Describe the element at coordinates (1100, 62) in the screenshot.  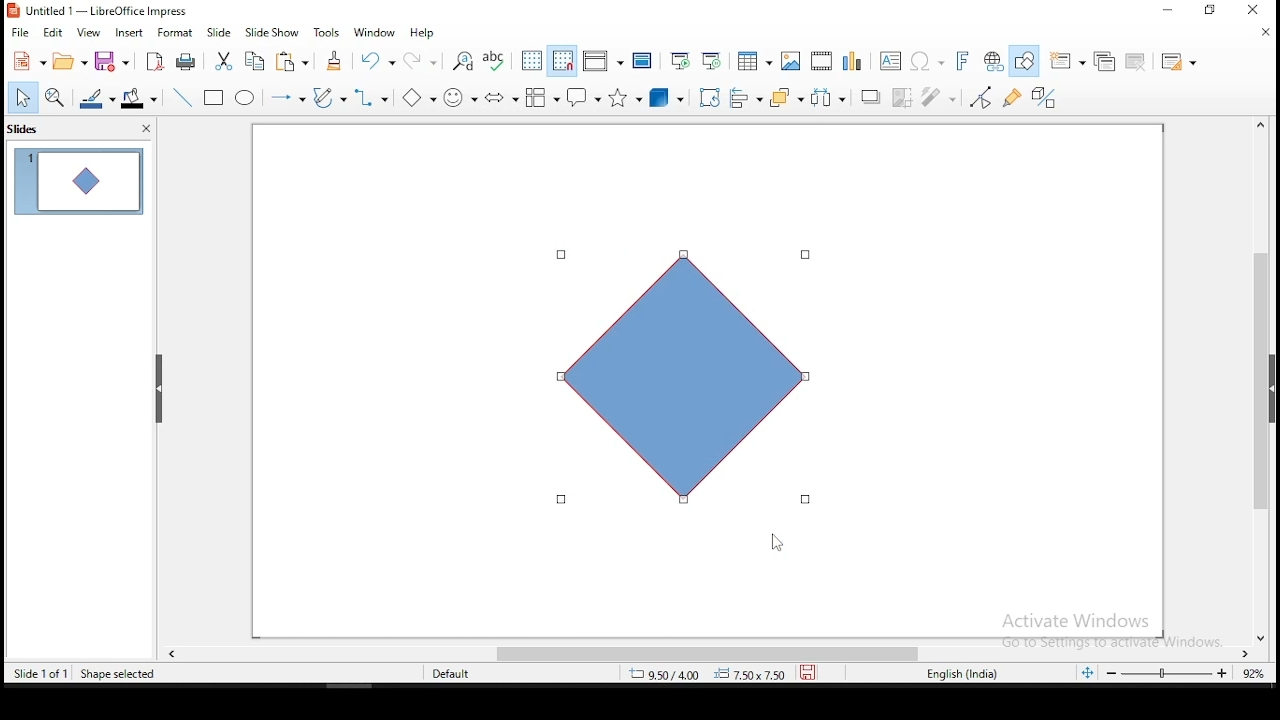
I see `duplicate slide` at that location.